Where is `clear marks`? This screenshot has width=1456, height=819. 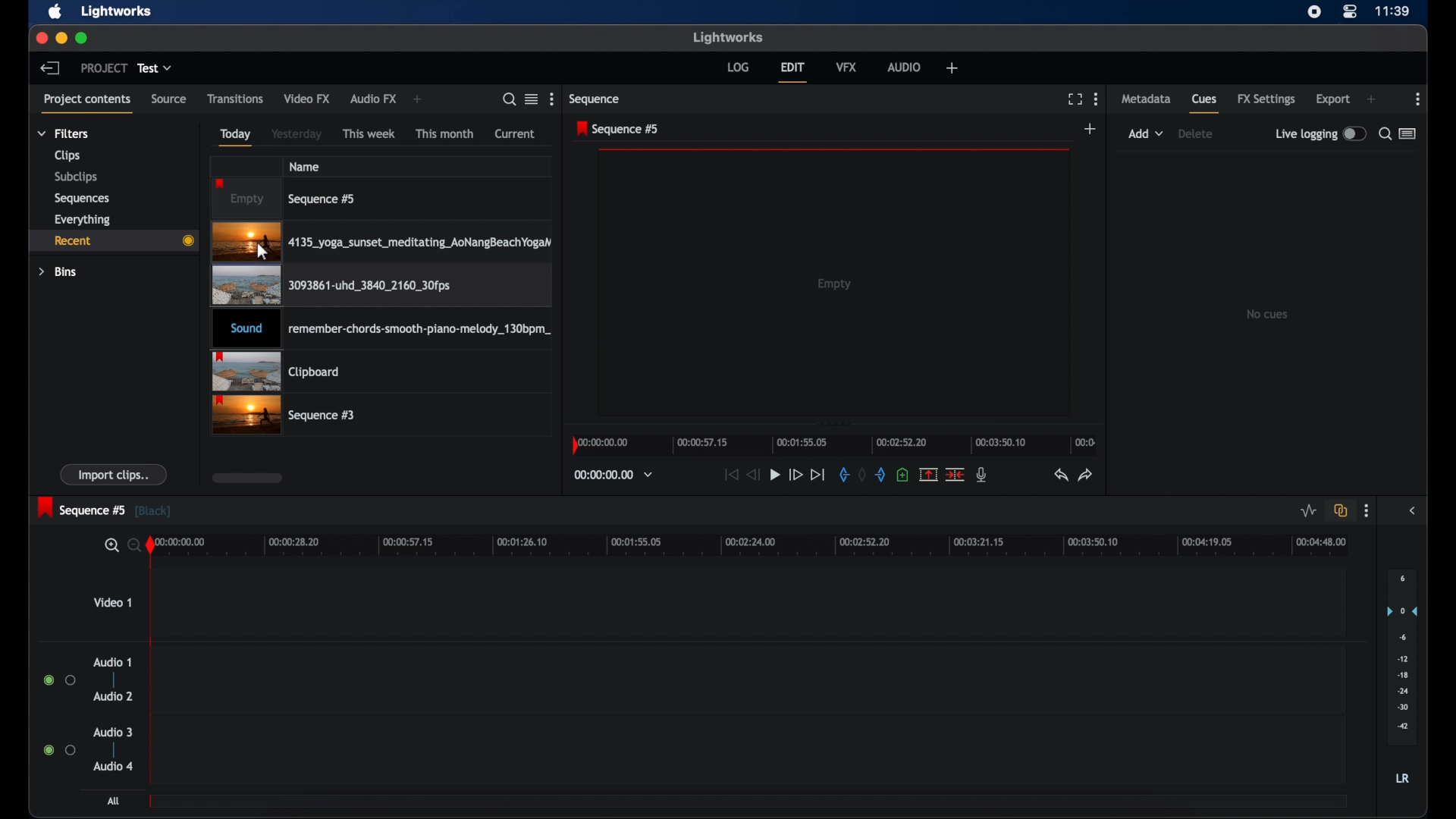
clear marks is located at coordinates (861, 474).